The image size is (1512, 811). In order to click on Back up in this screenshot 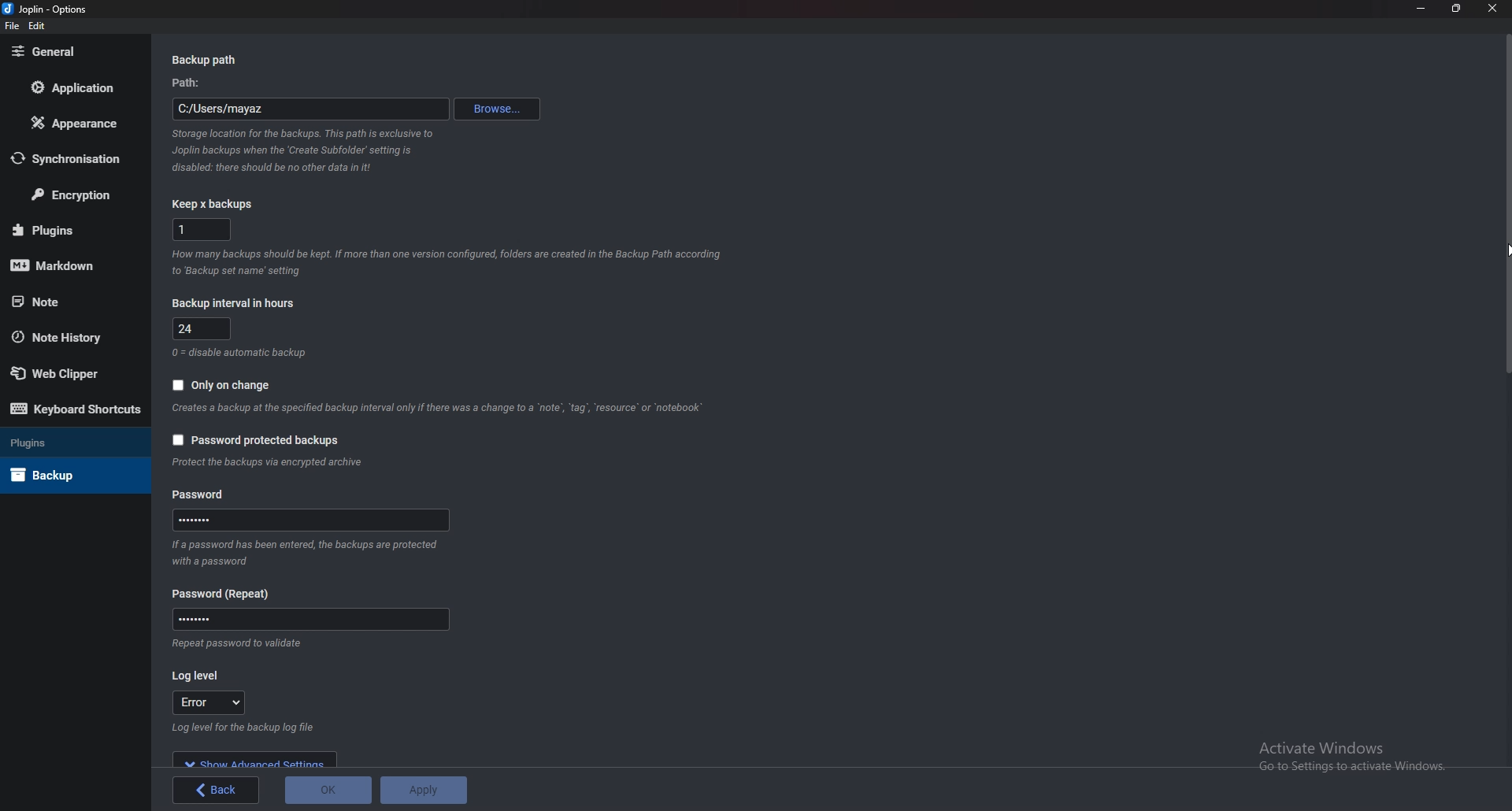, I will do `click(65, 475)`.